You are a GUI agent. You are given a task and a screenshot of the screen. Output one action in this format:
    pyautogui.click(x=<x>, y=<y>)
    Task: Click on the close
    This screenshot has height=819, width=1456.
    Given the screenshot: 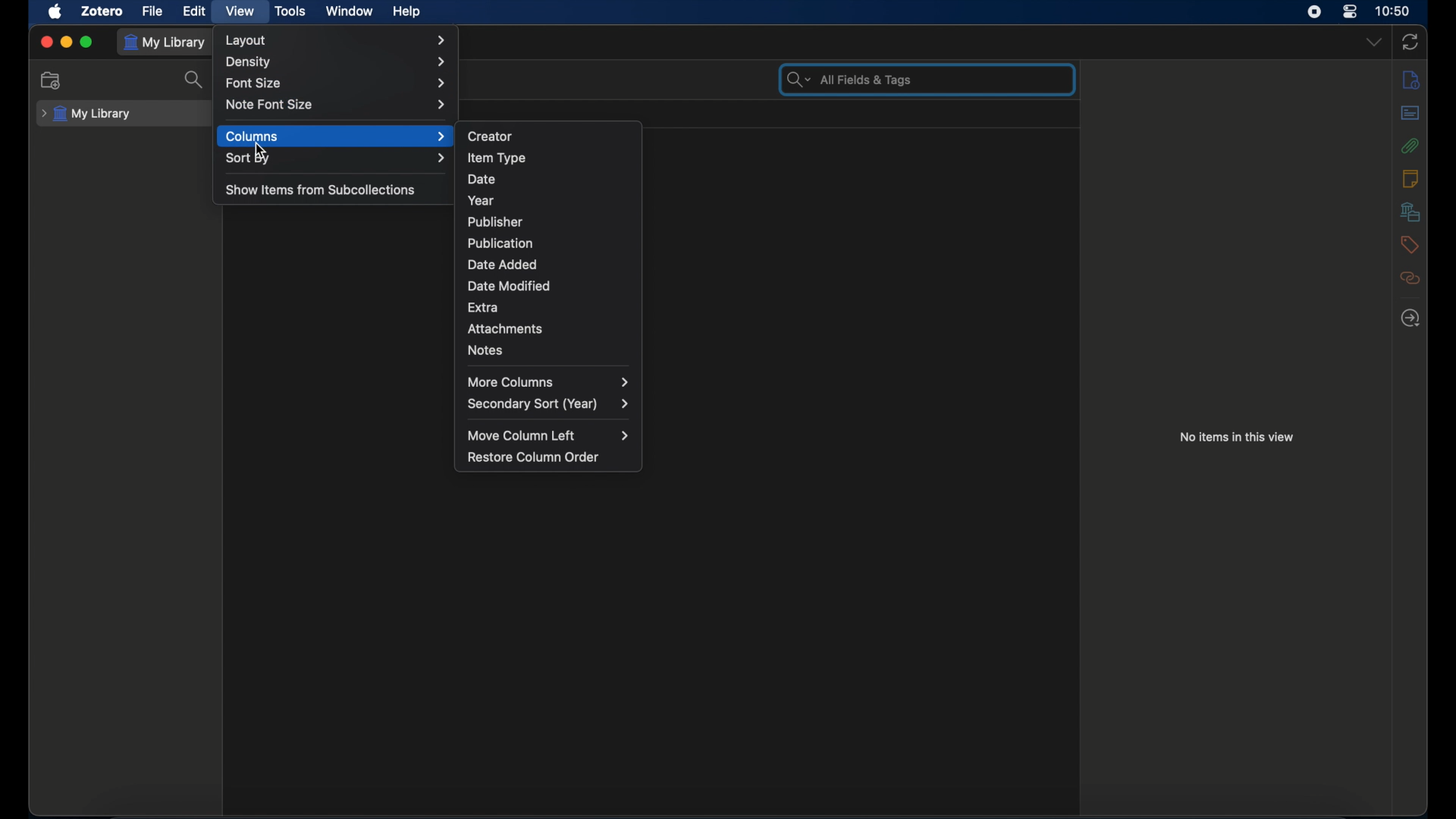 What is the action you would take?
    pyautogui.click(x=45, y=41)
    